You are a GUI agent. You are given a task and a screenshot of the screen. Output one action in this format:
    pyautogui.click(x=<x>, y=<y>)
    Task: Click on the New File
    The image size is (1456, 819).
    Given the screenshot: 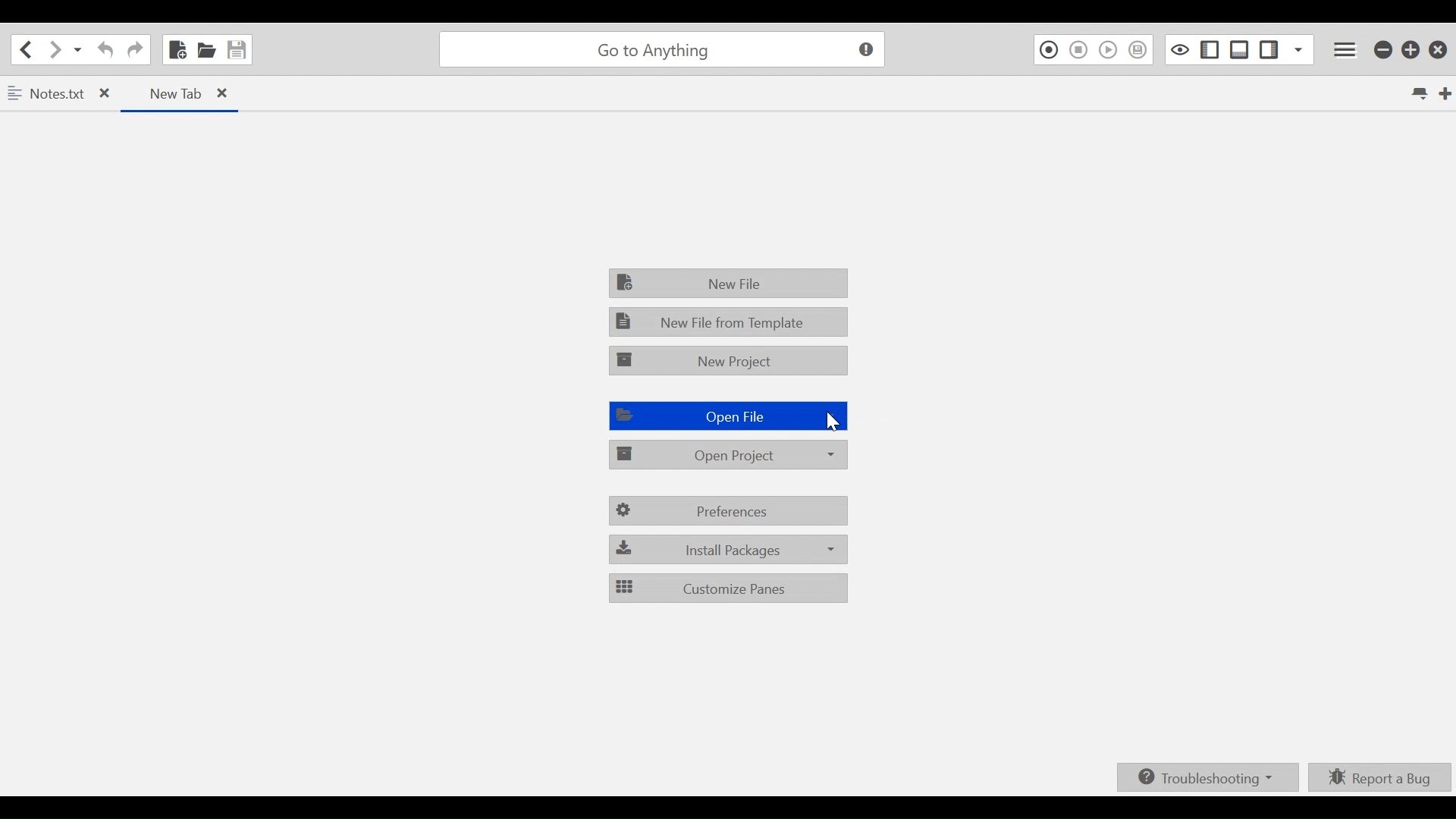 What is the action you would take?
    pyautogui.click(x=176, y=48)
    